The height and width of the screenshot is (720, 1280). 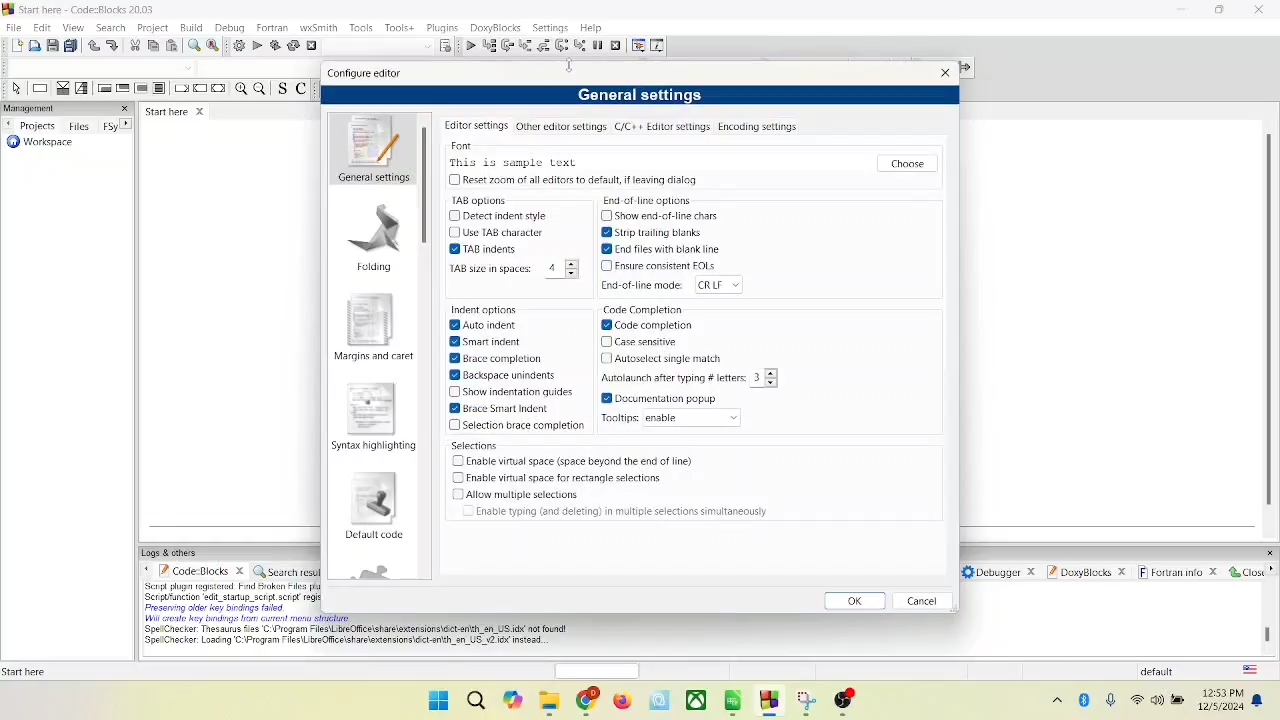 I want to click on step into instruction, so click(x=580, y=45).